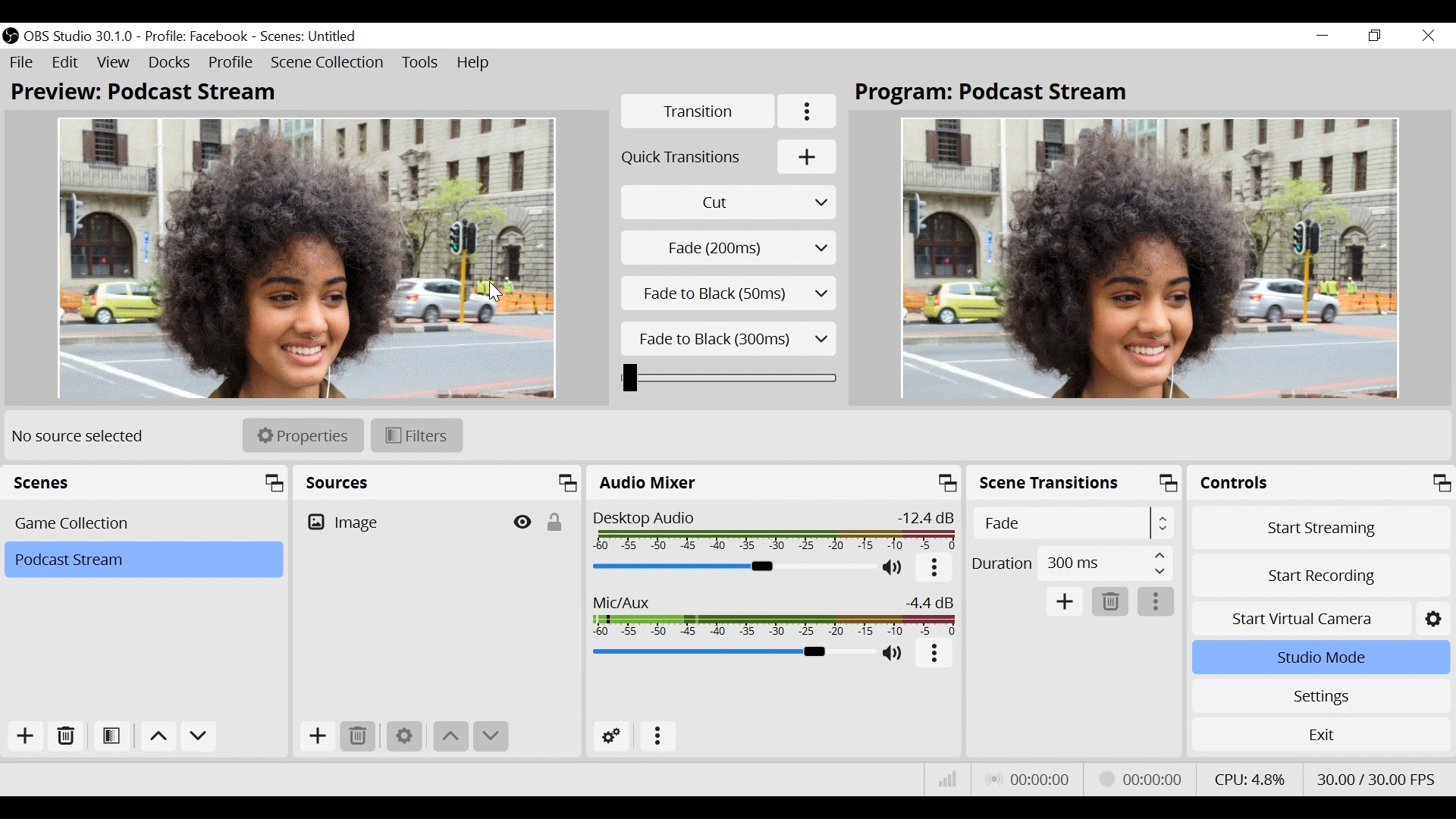 The width and height of the screenshot is (1456, 819). What do you see at coordinates (475, 64) in the screenshot?
I see `Help` at bounding box center [475, 64].